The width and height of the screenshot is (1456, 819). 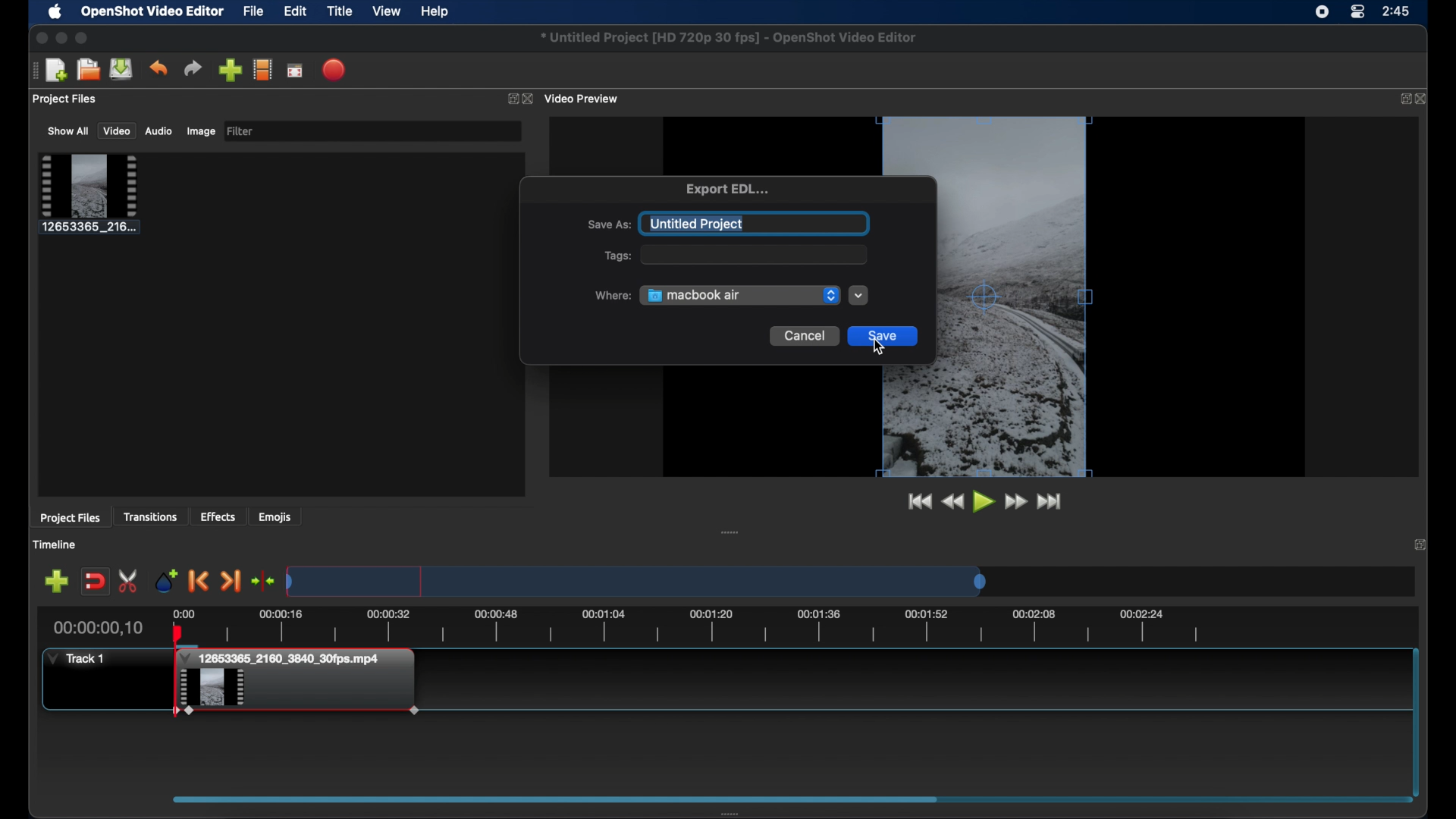 I want to click on help, so click(x=437, y=11).